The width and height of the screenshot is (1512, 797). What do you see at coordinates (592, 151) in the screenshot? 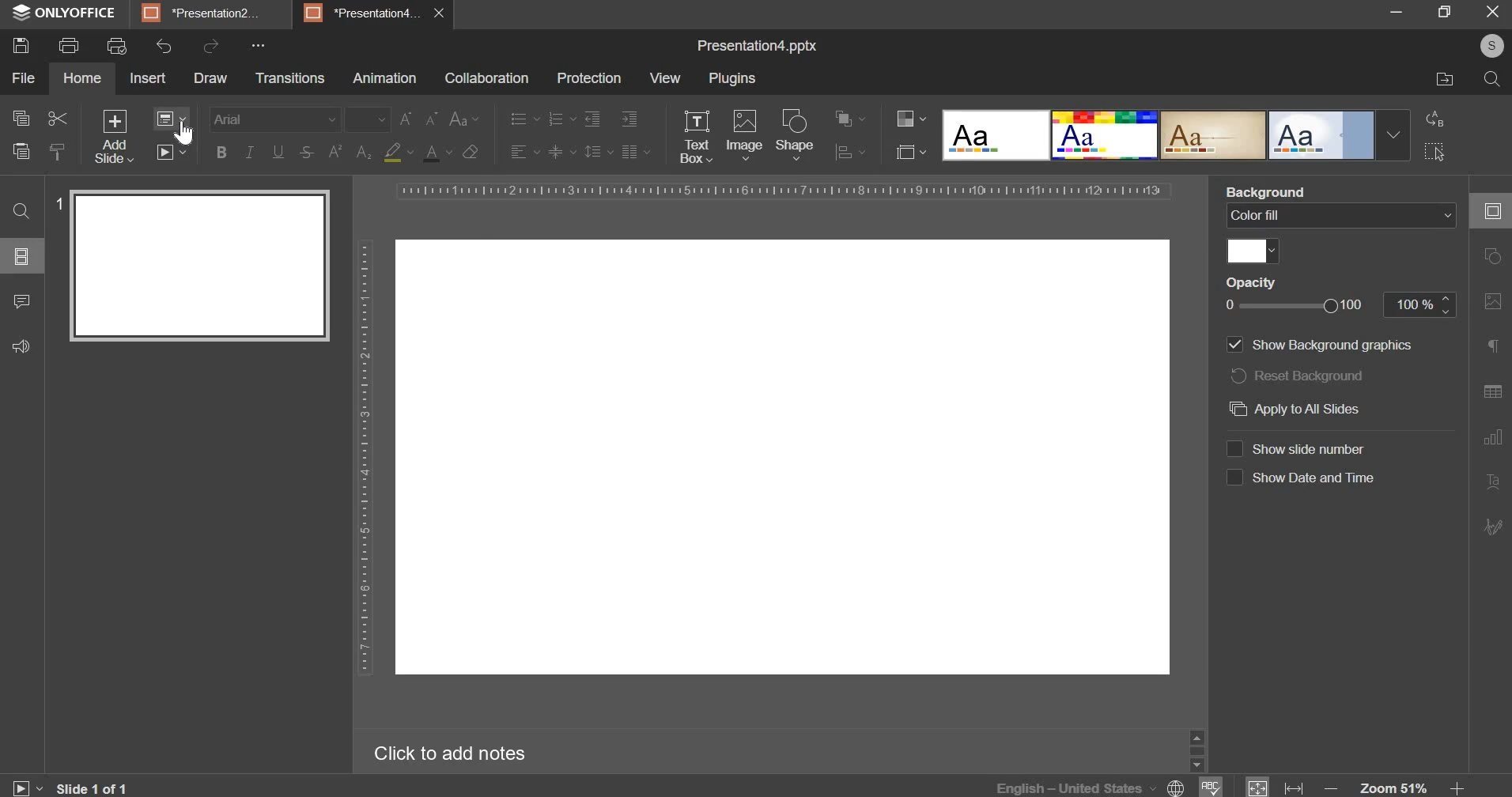
I see `line spacing` at bounding box center [592, 151].